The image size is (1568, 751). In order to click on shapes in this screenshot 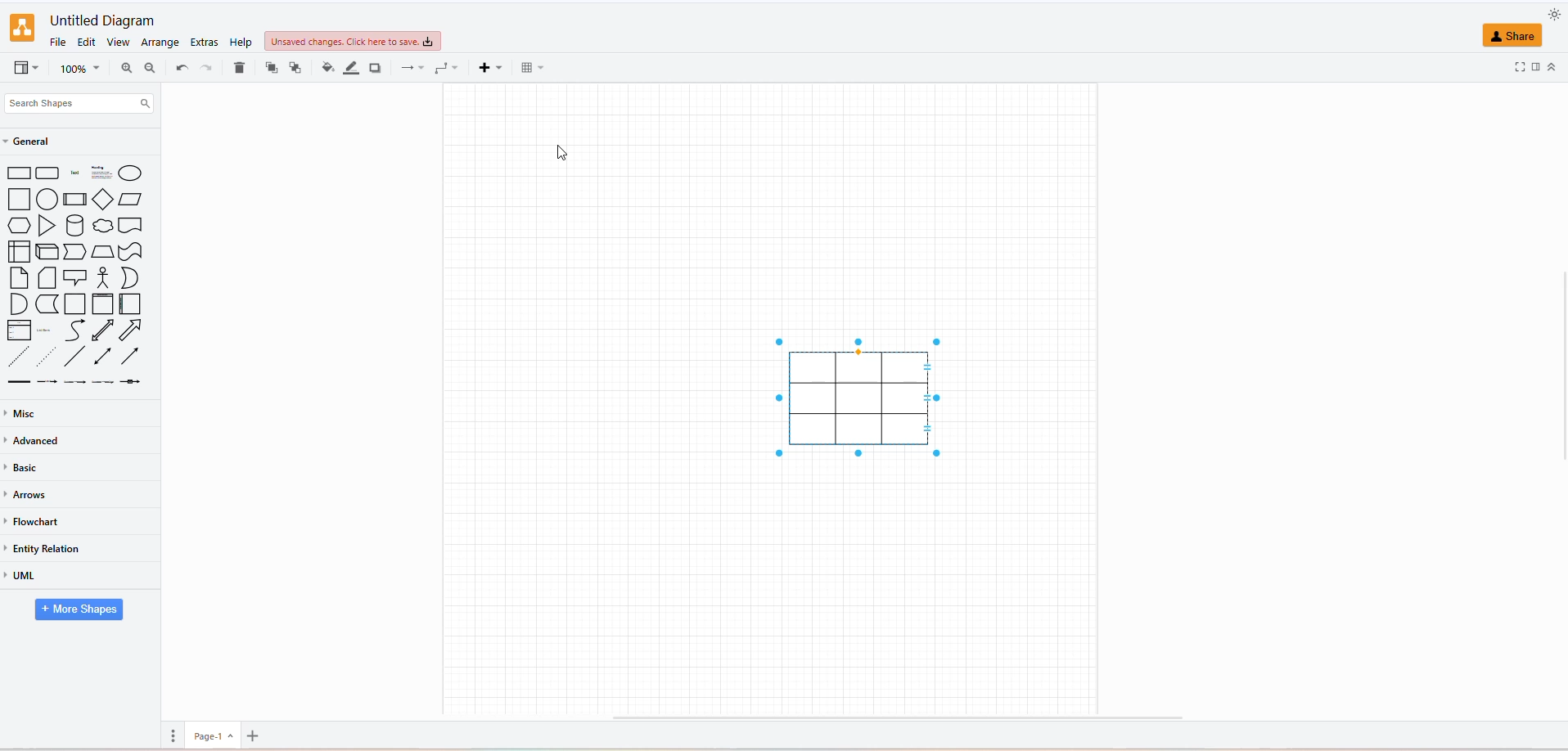, I will do `click(80, 277)`.